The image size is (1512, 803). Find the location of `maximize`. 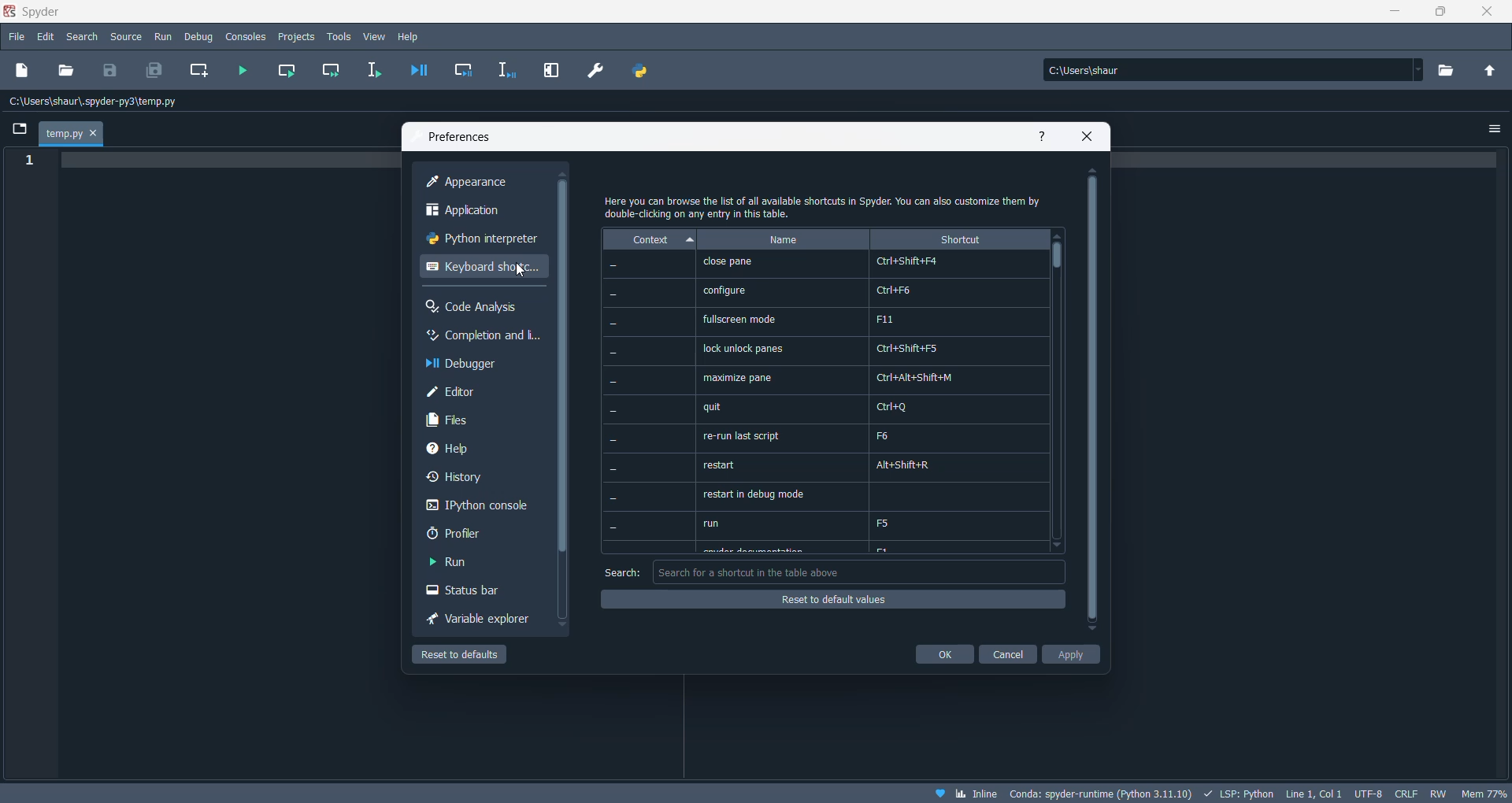

maximize is located at coordinates (1442, 14).